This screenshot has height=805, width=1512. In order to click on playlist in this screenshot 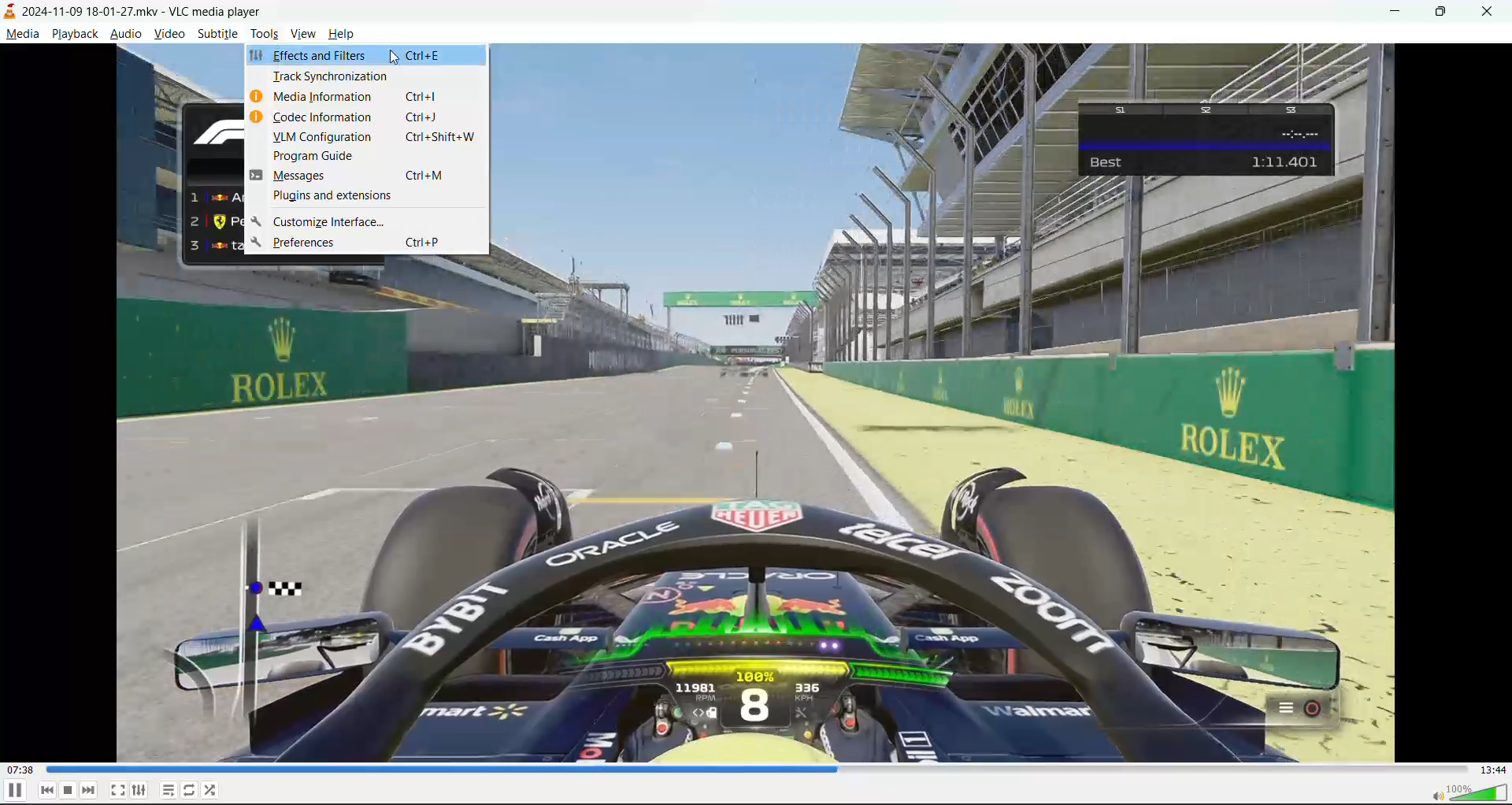, I will do `click(169, 790)`.